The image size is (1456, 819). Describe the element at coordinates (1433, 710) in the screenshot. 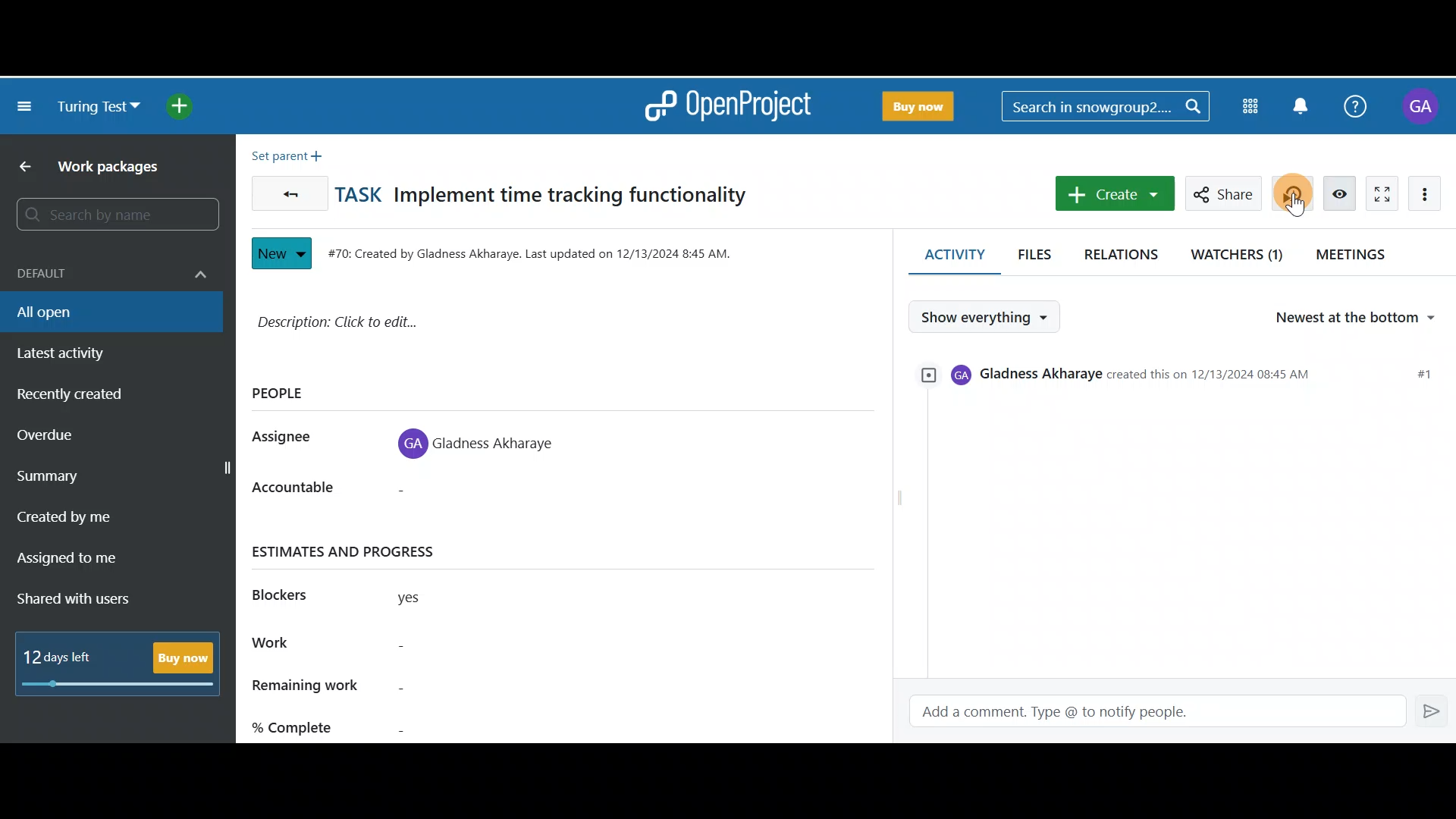

I see `Enter` at that location.